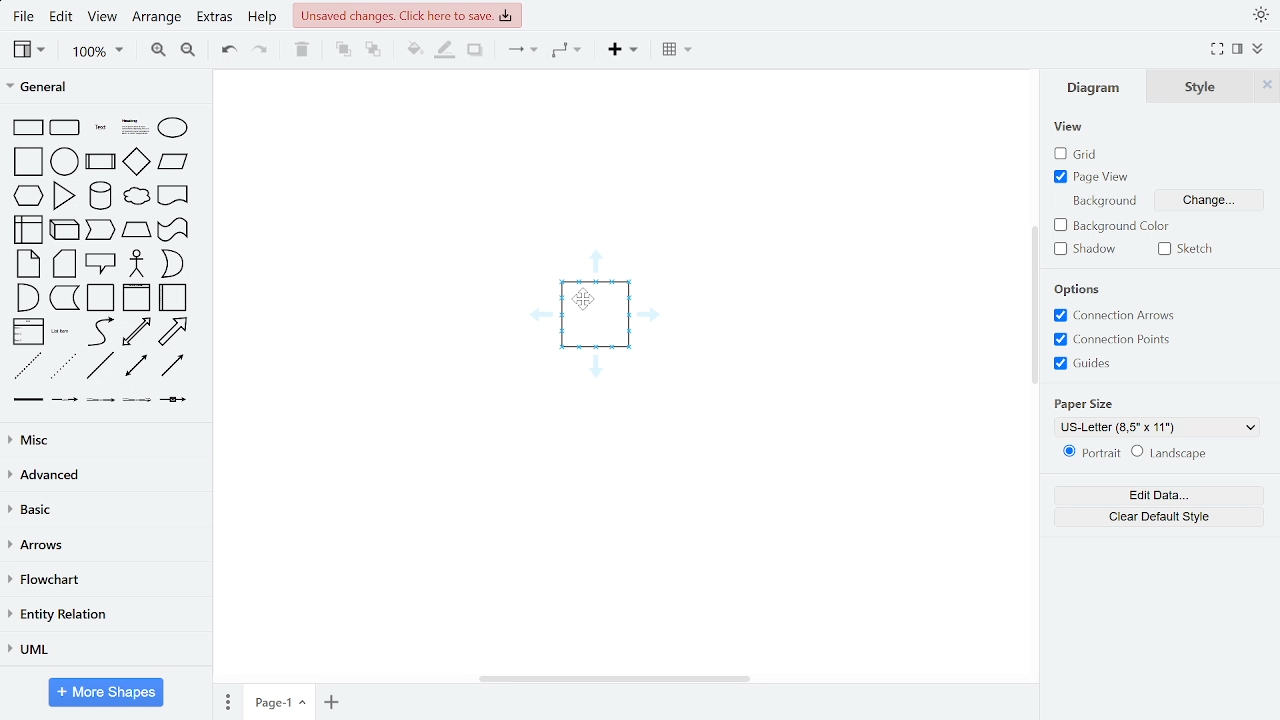 The width and height of the screenshot is (1280, 720). I want to click on advanced, so click(106, 476).